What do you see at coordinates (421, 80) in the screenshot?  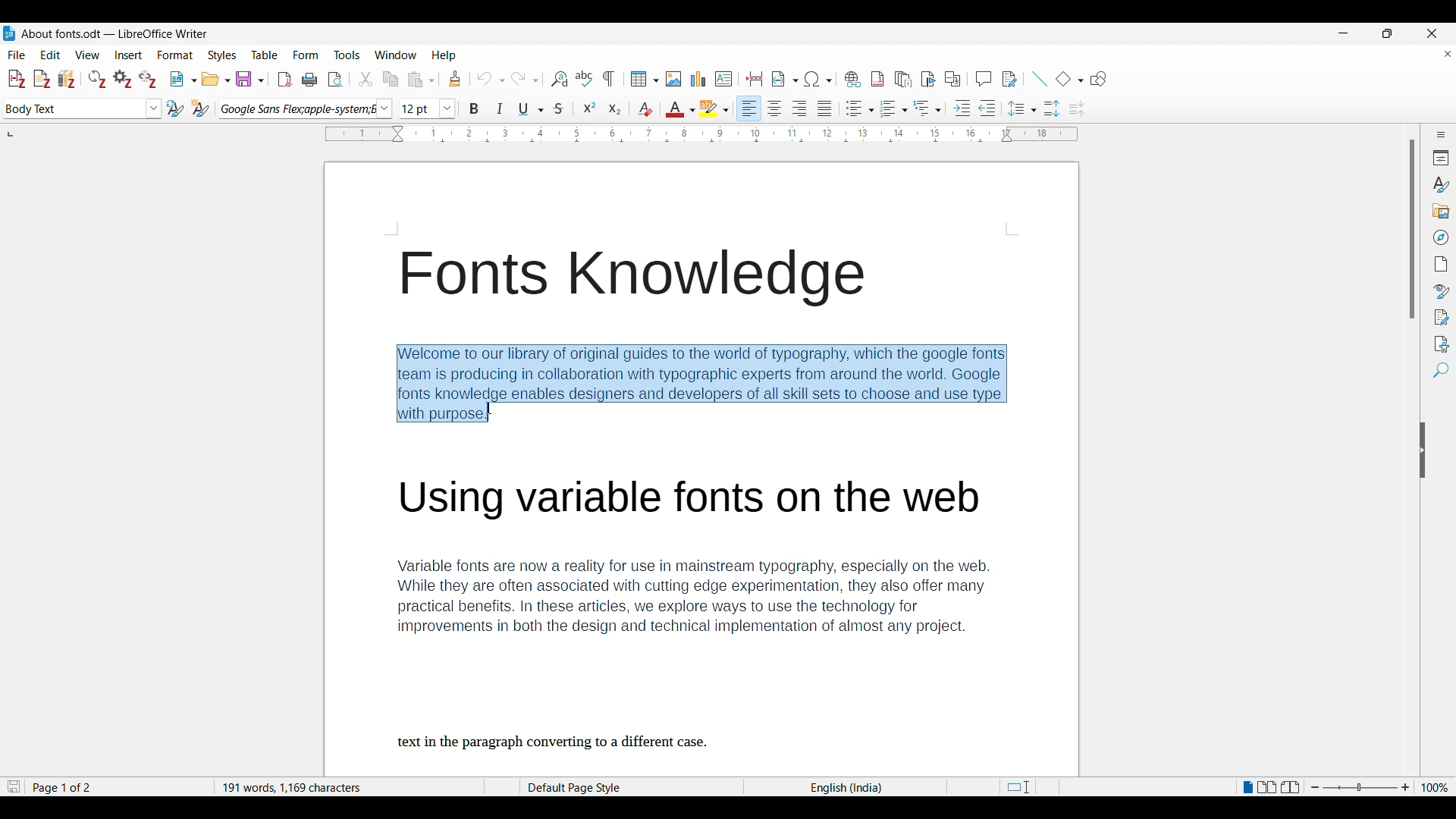 I see `Paste` at bounding box center [421, 80].